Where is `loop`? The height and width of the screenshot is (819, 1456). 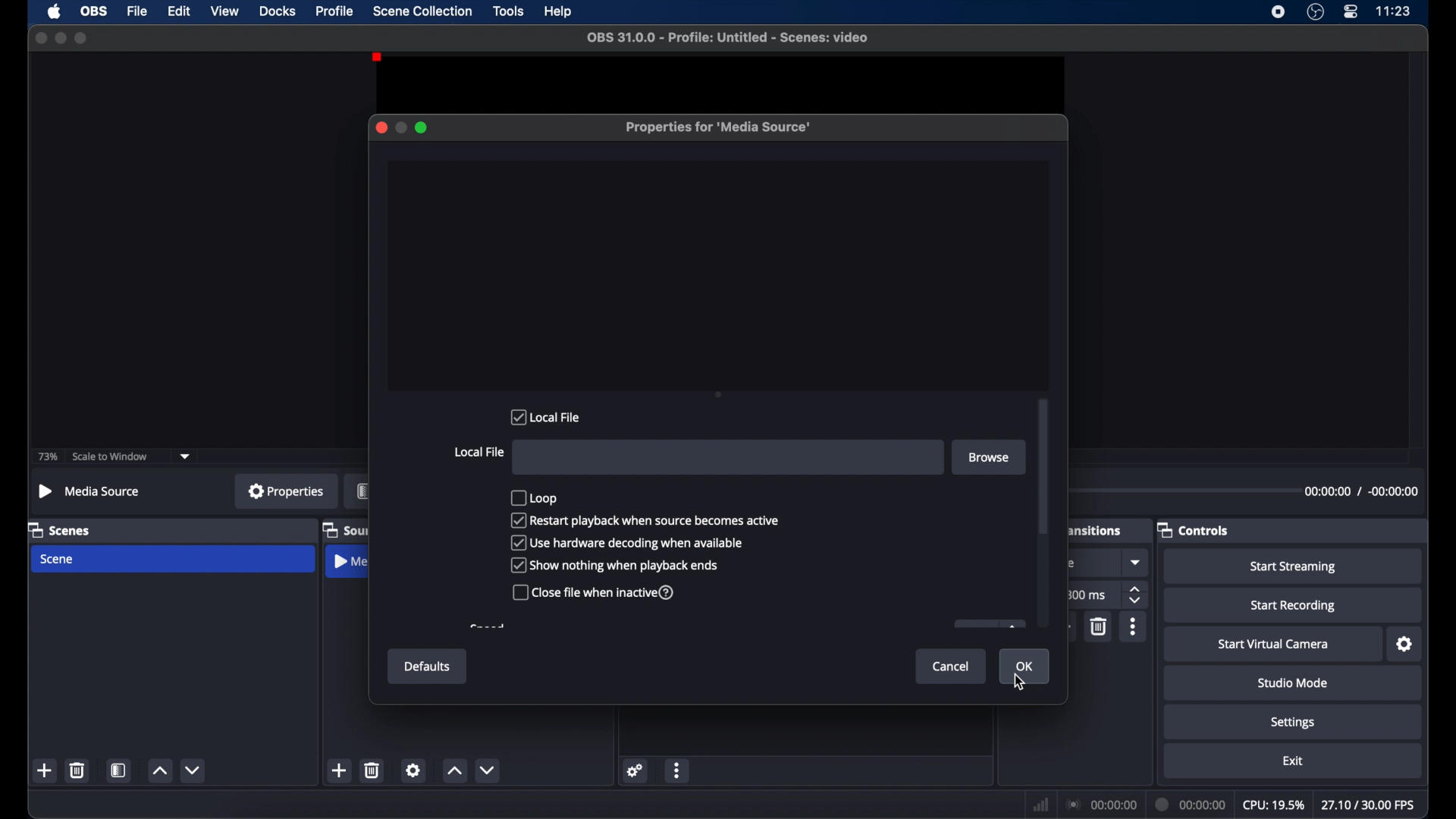 loop is located at coordinates (534, 498).